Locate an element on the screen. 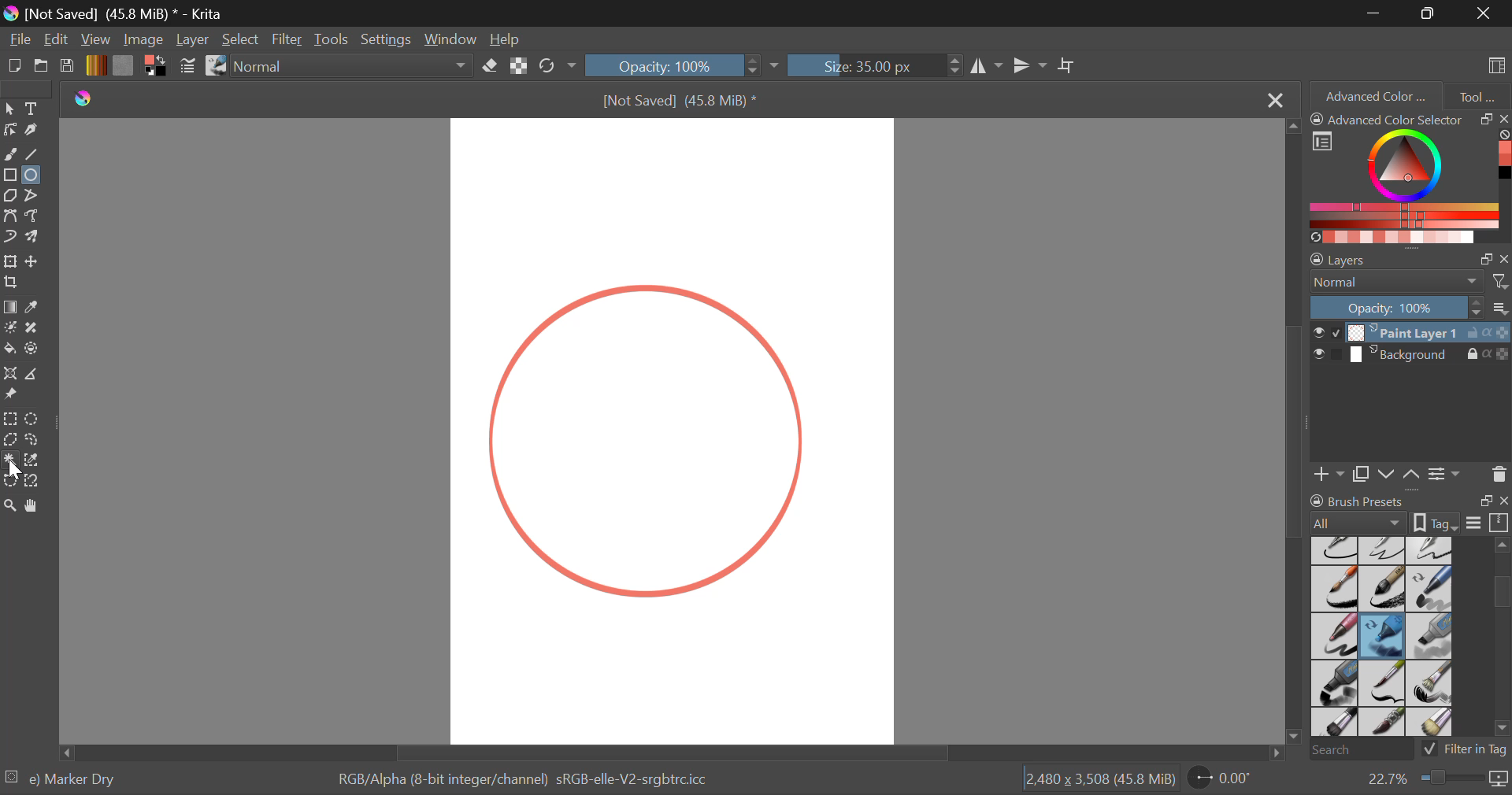 This screenshot has width=1512, height=795. Edit Shapes Tool is located at coordinates (9, 130).